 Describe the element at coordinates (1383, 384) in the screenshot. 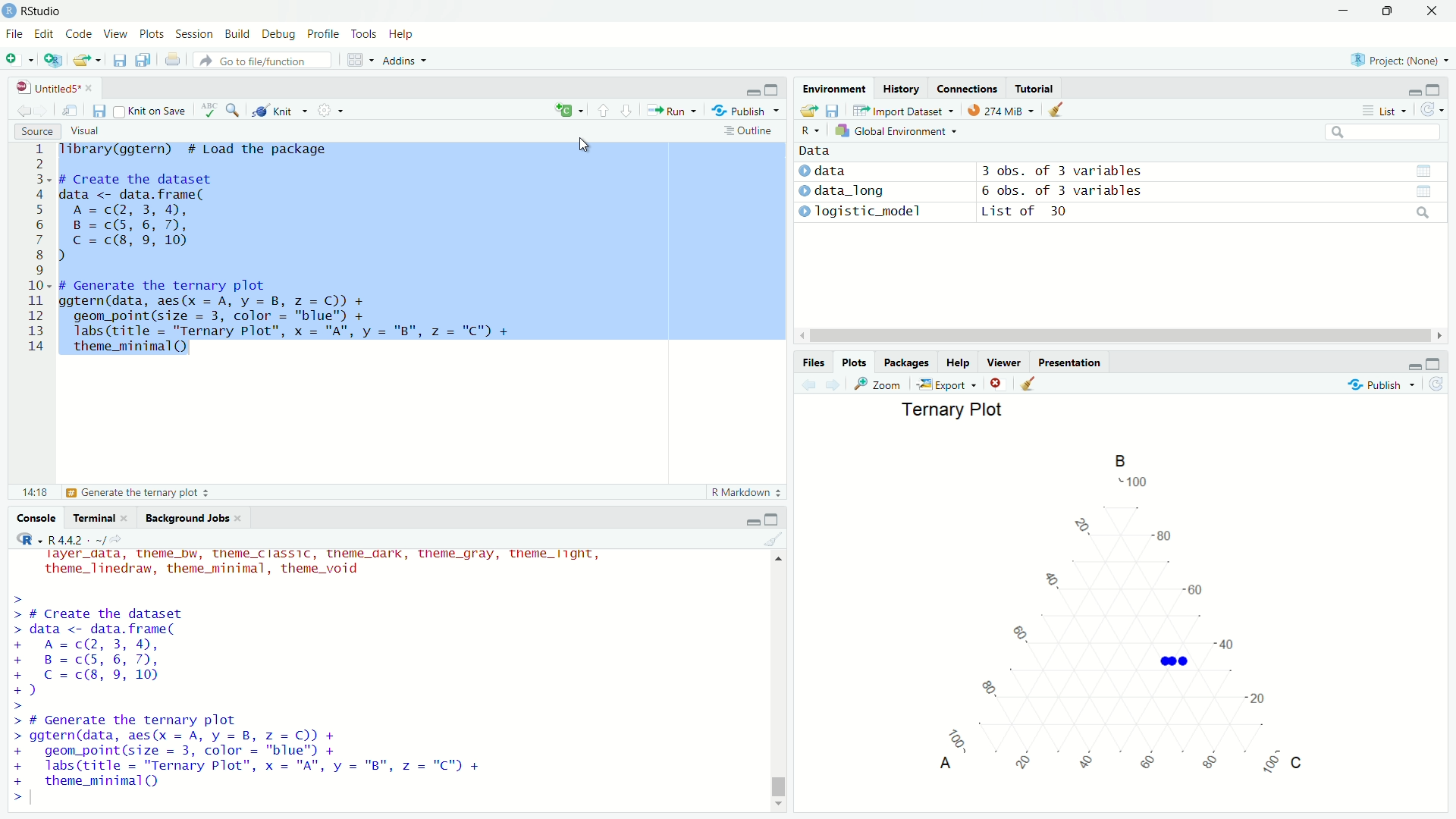

I see `Publish ~` at that location.